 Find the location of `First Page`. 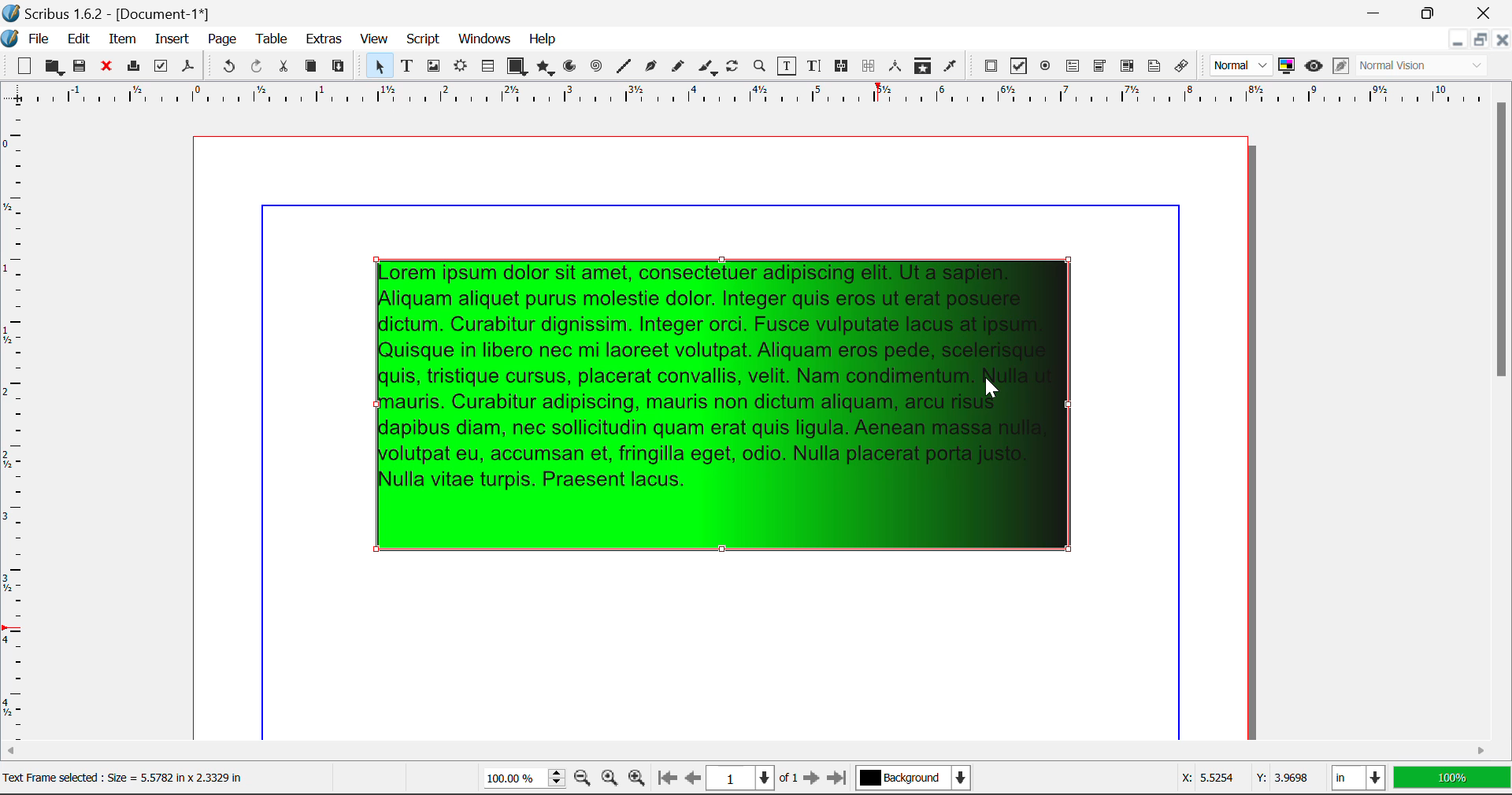

First Page is located at coordinates (665, 779).